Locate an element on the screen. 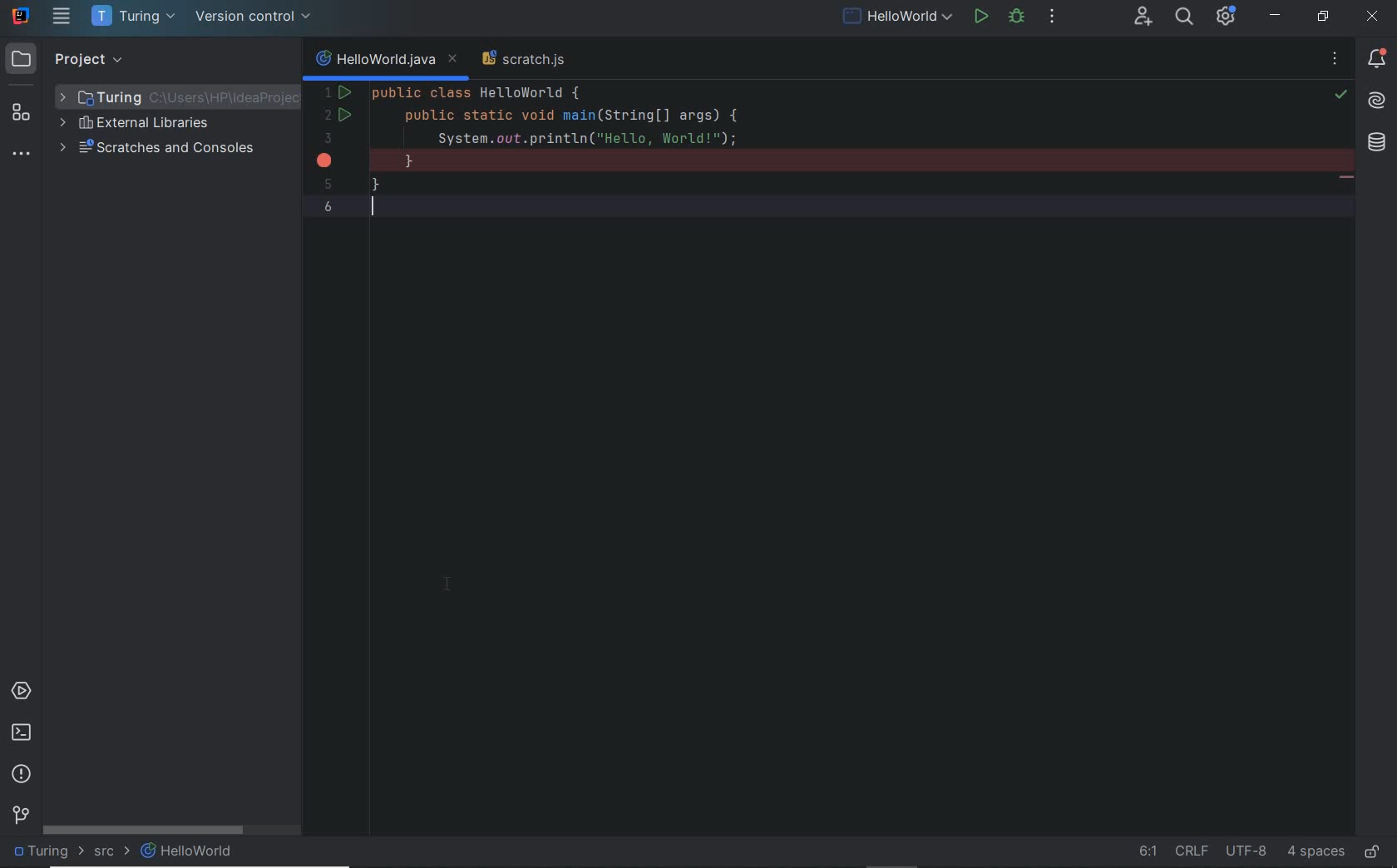  restore down is located at coordinates (1324, 15).